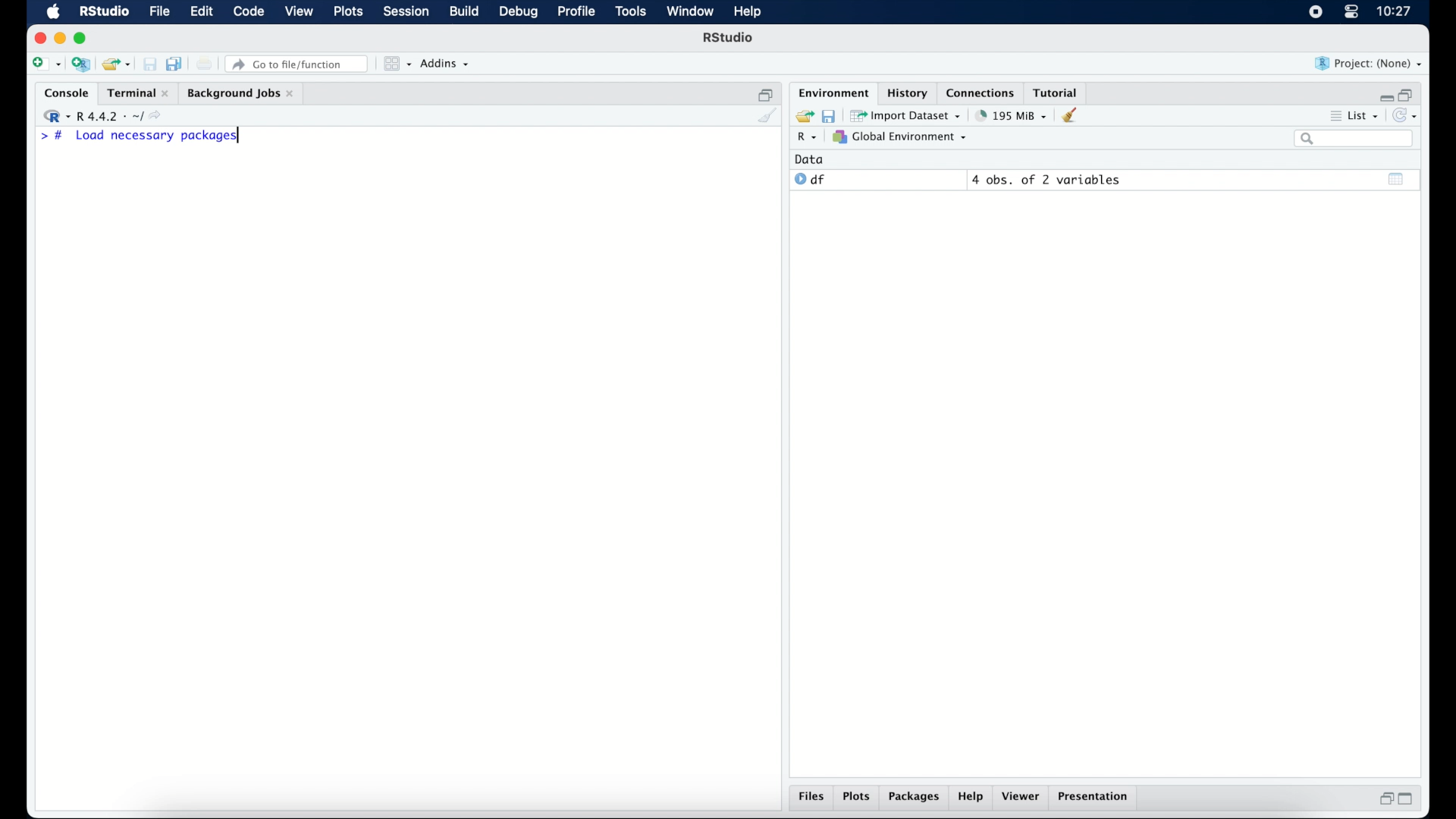 Image resolution: width=1456 pixels, height=819 pixels. I want to click on console, so click(63, 93).